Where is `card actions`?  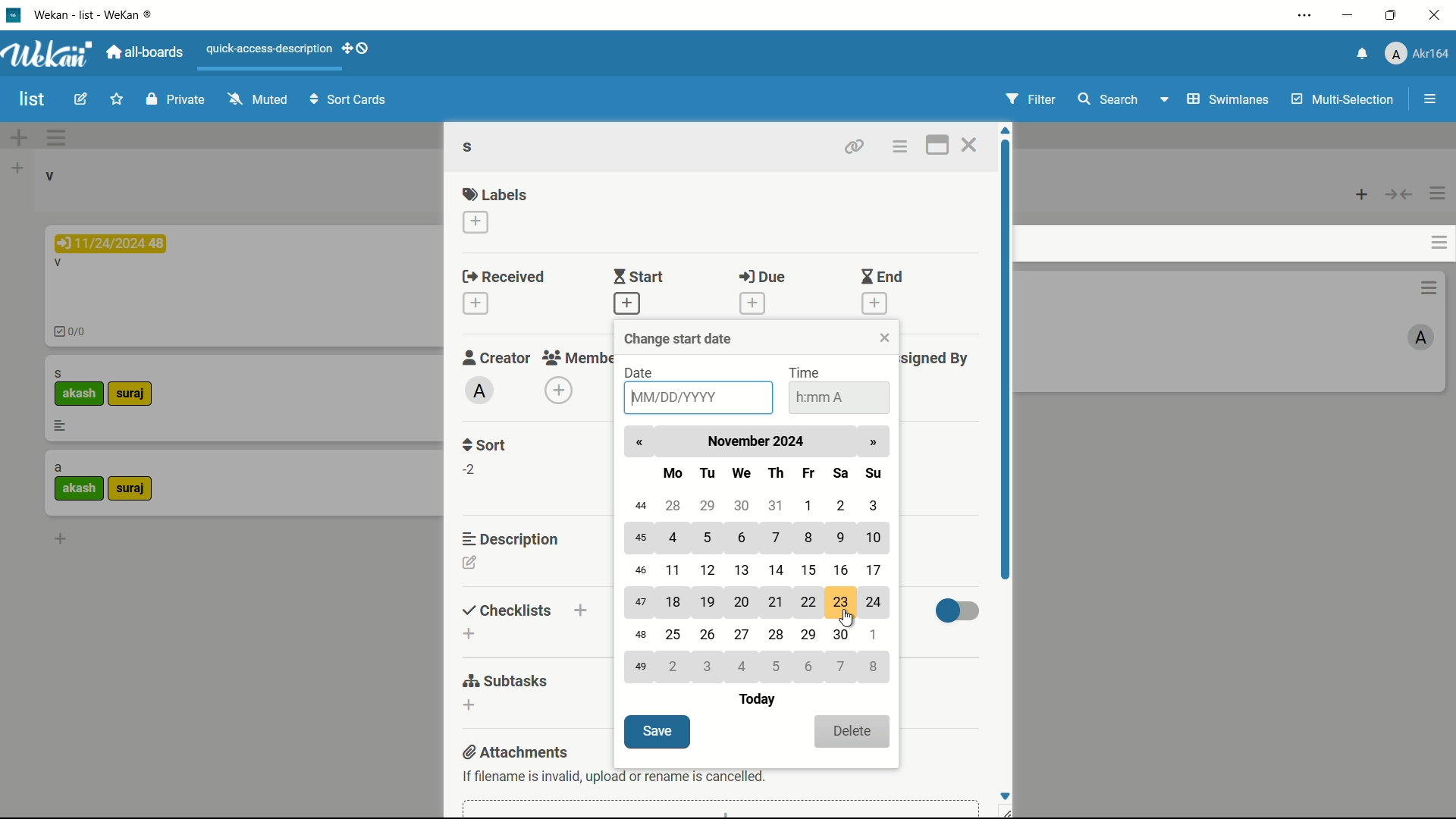 card actions is located at coordinates (1428, 287).